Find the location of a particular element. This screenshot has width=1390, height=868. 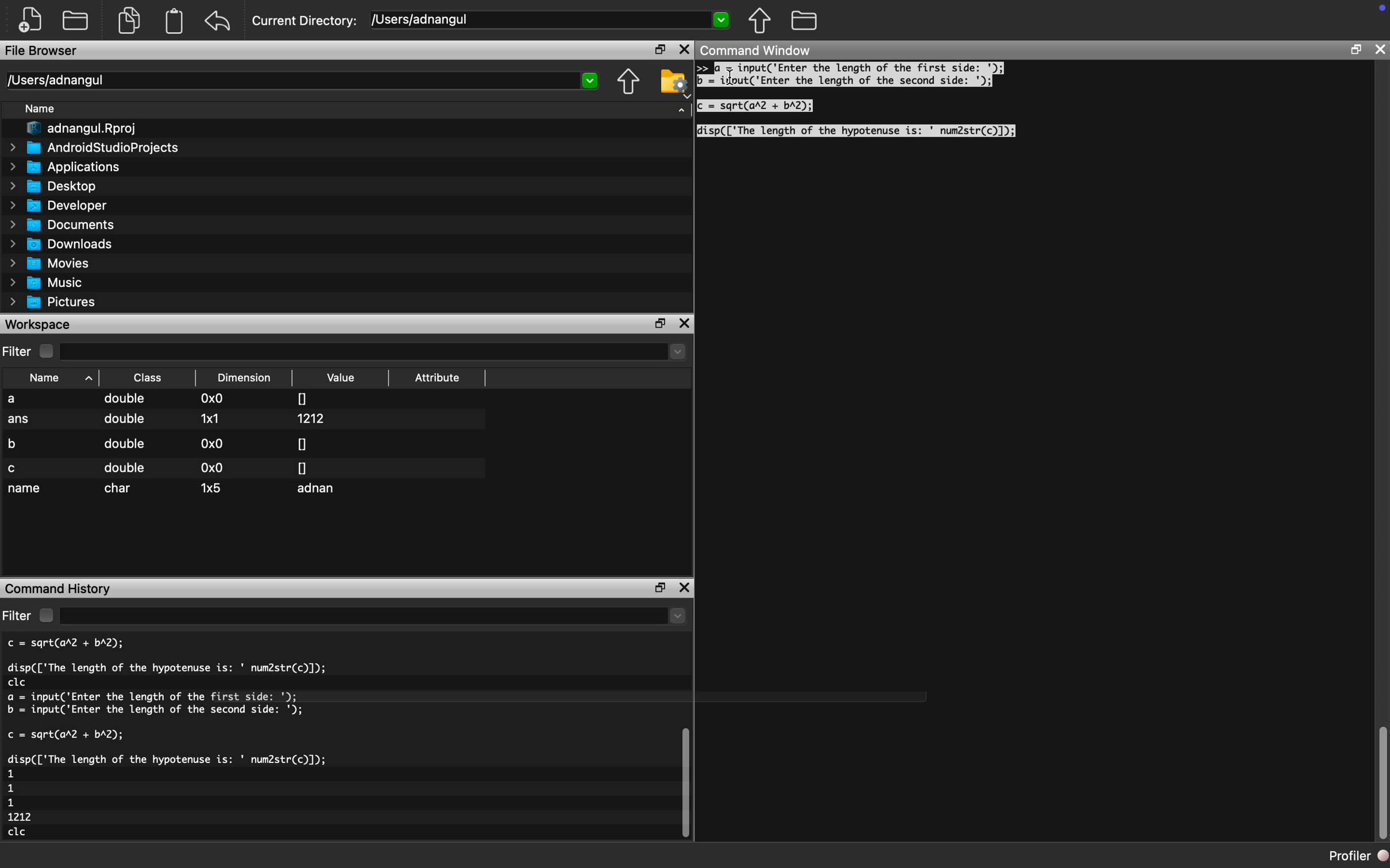

checkbox is located at coordinates (45, 615).